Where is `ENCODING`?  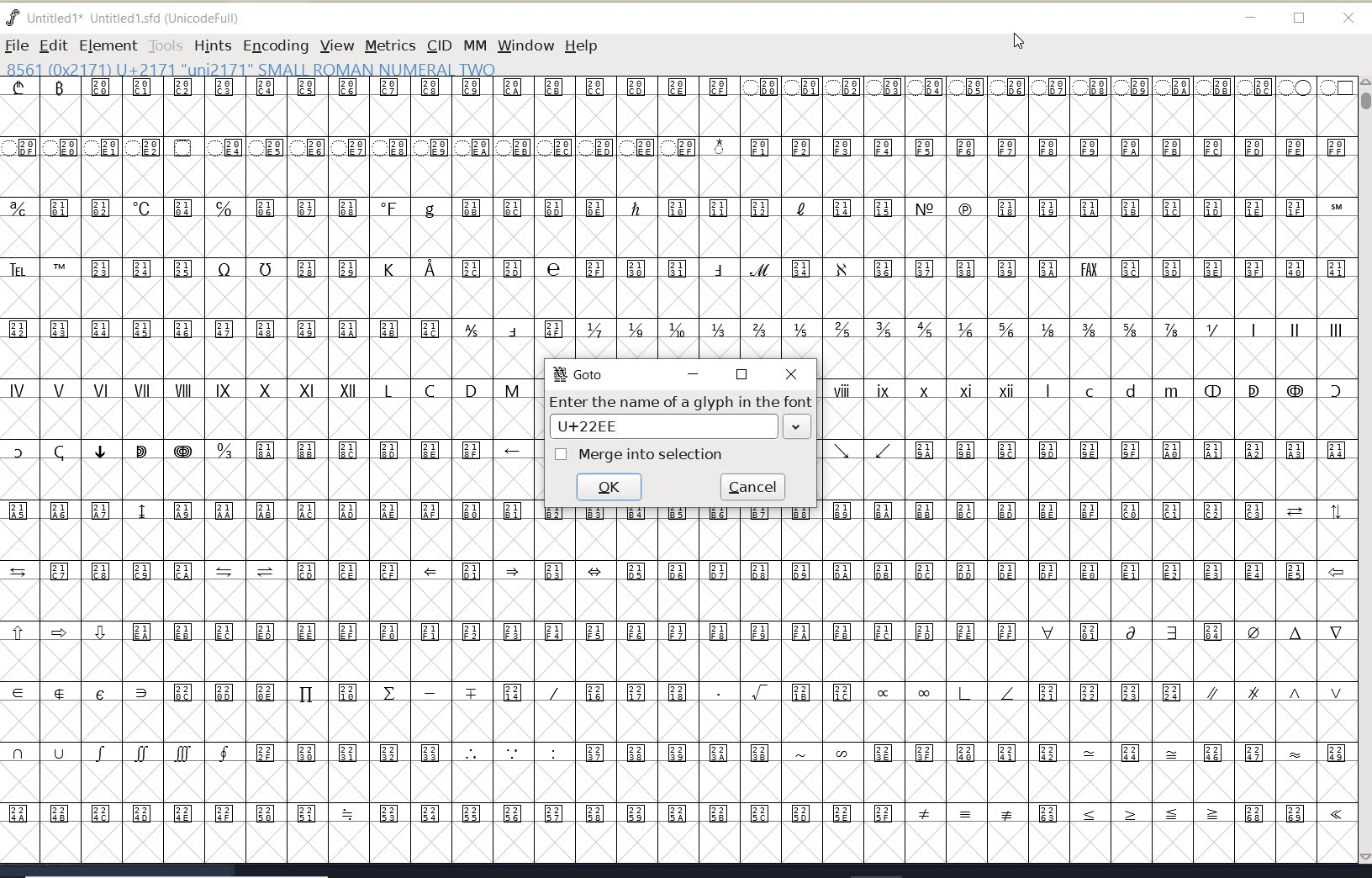
ENCODING is located at coordinates (276, 46).